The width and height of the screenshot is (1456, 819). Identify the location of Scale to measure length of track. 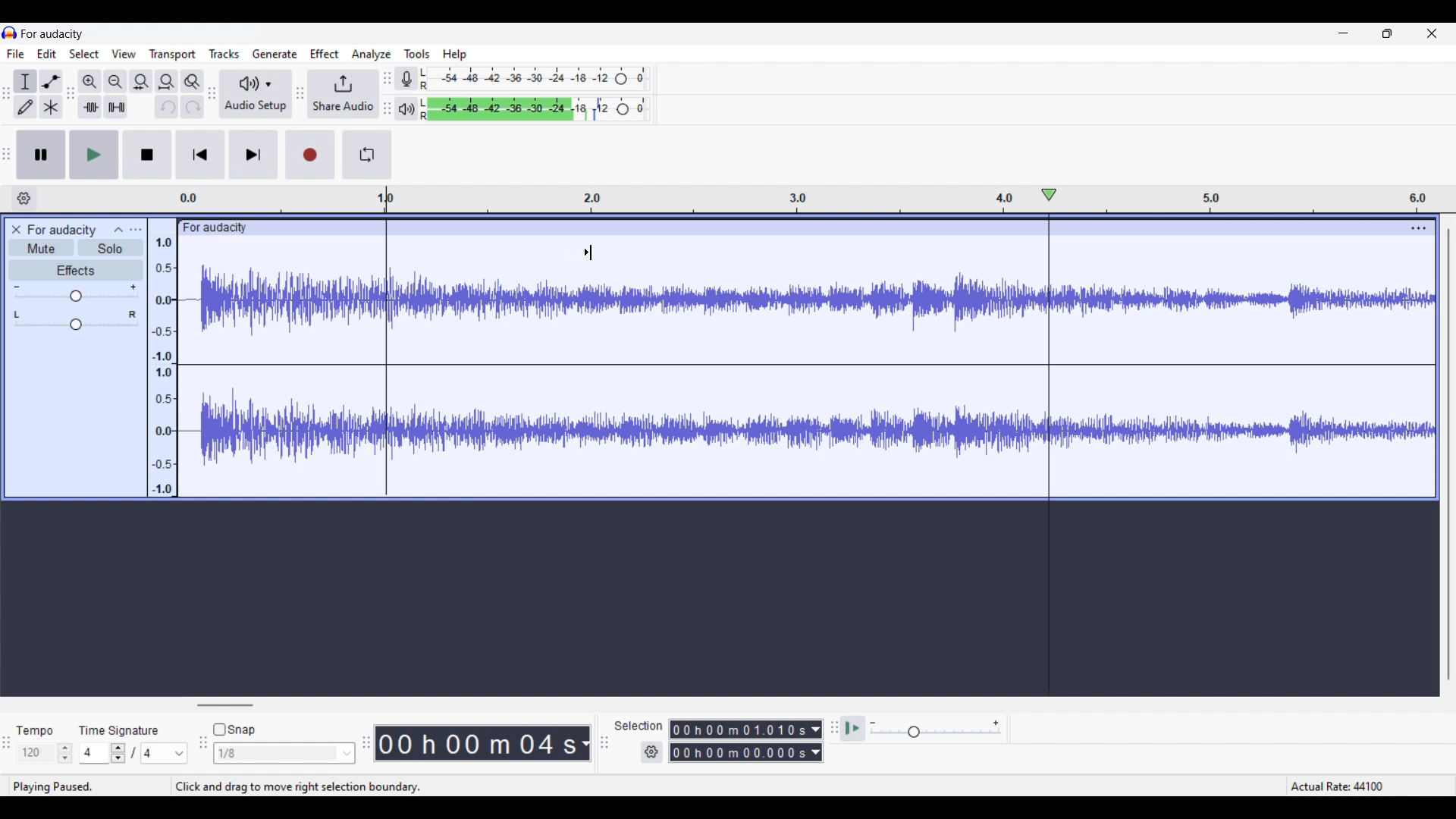
(1258, 199).